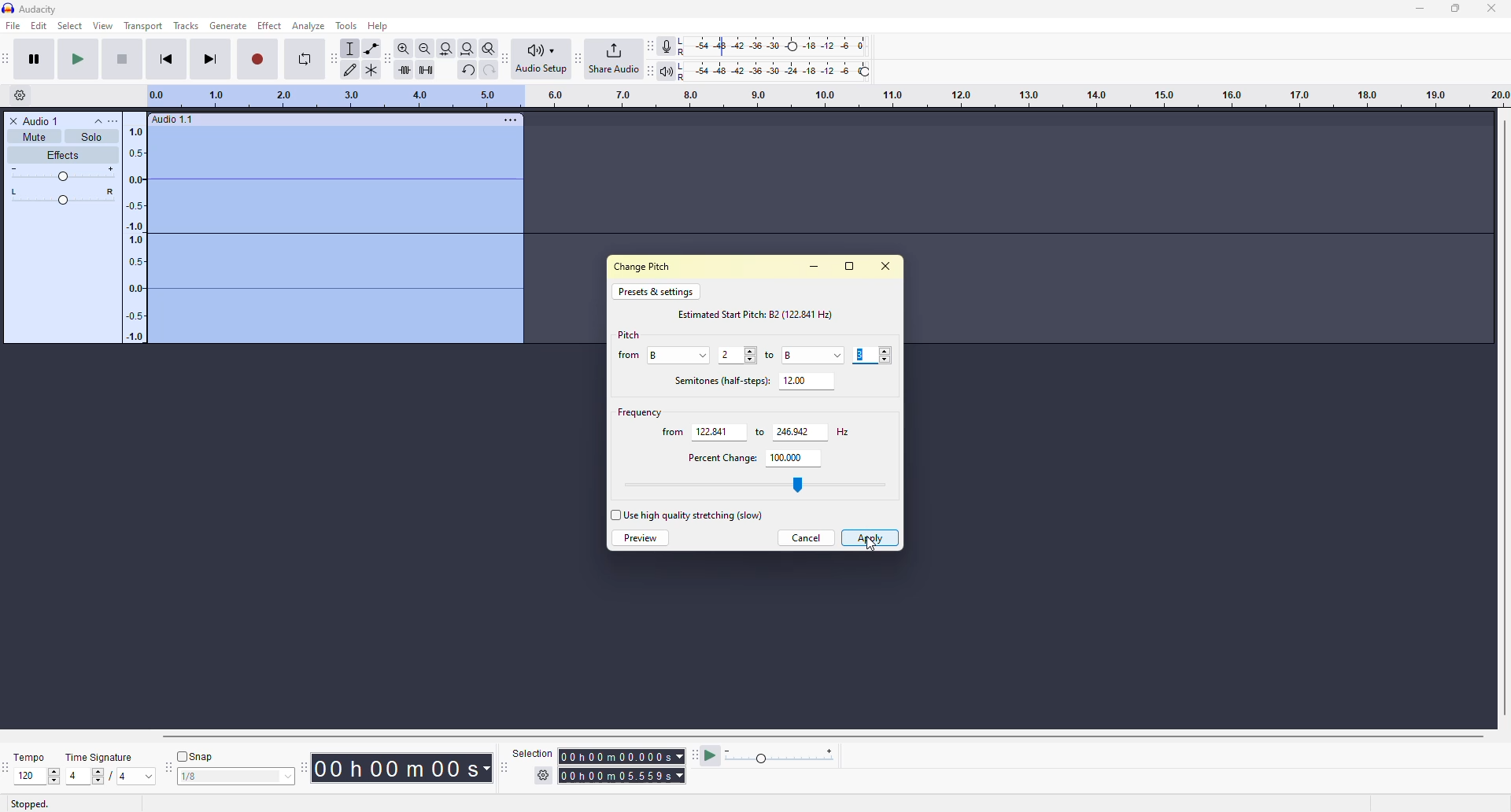 Image resolution: width=1511 pixels, height=812 pixels. Describe the element at coordinates (861, 356) in the screenshot. I see `3` at that location.